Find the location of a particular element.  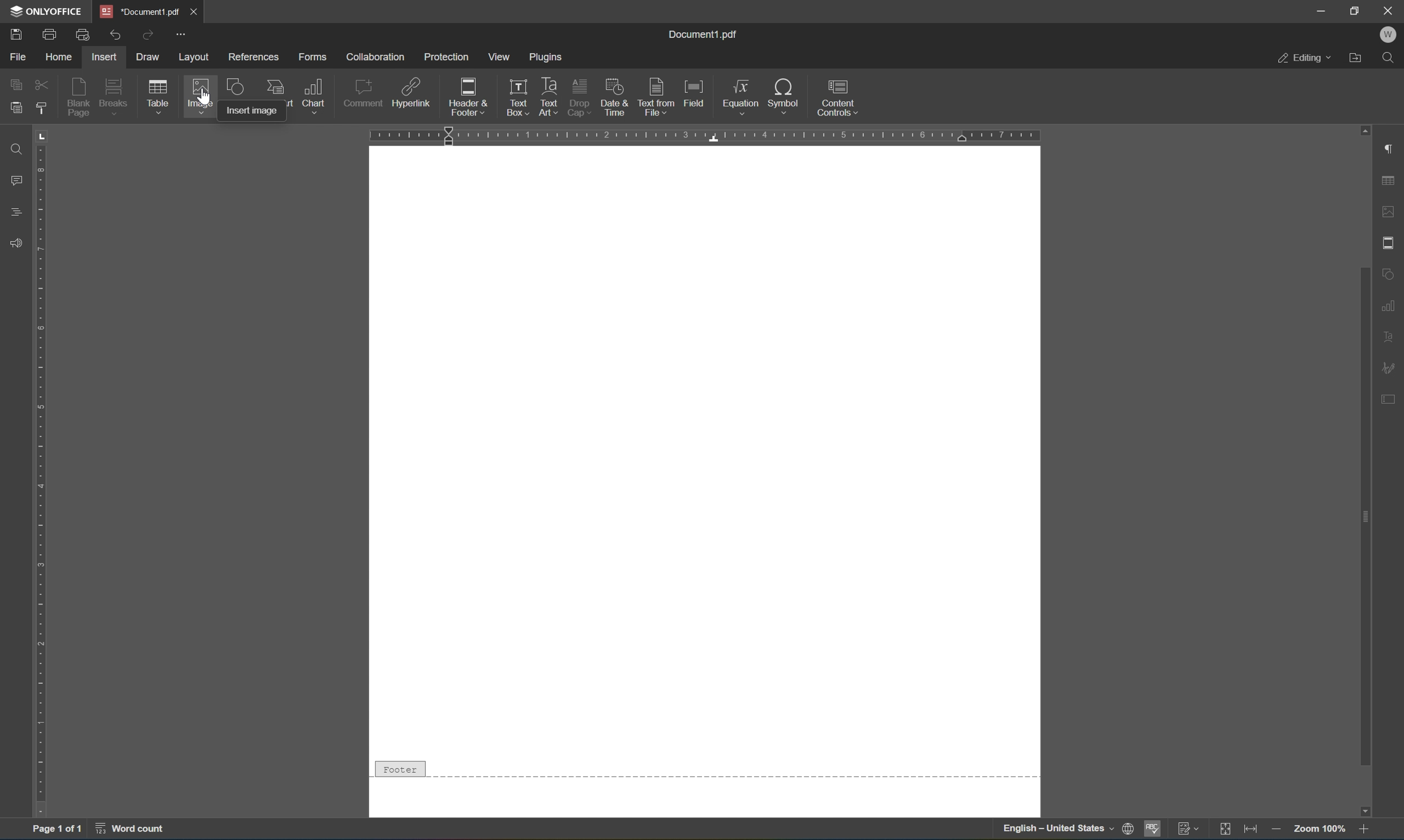

undo is located at coordinates (112, 35).